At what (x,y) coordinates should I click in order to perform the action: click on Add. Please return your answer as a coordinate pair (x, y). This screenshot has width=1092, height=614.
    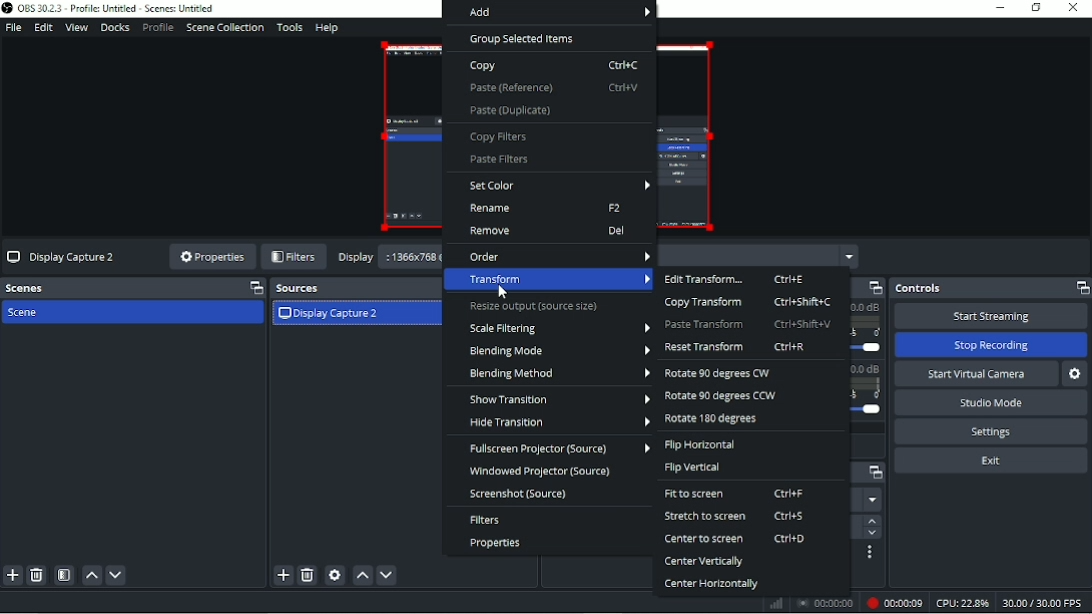
    Looking at the image, I should click on (549, 13).